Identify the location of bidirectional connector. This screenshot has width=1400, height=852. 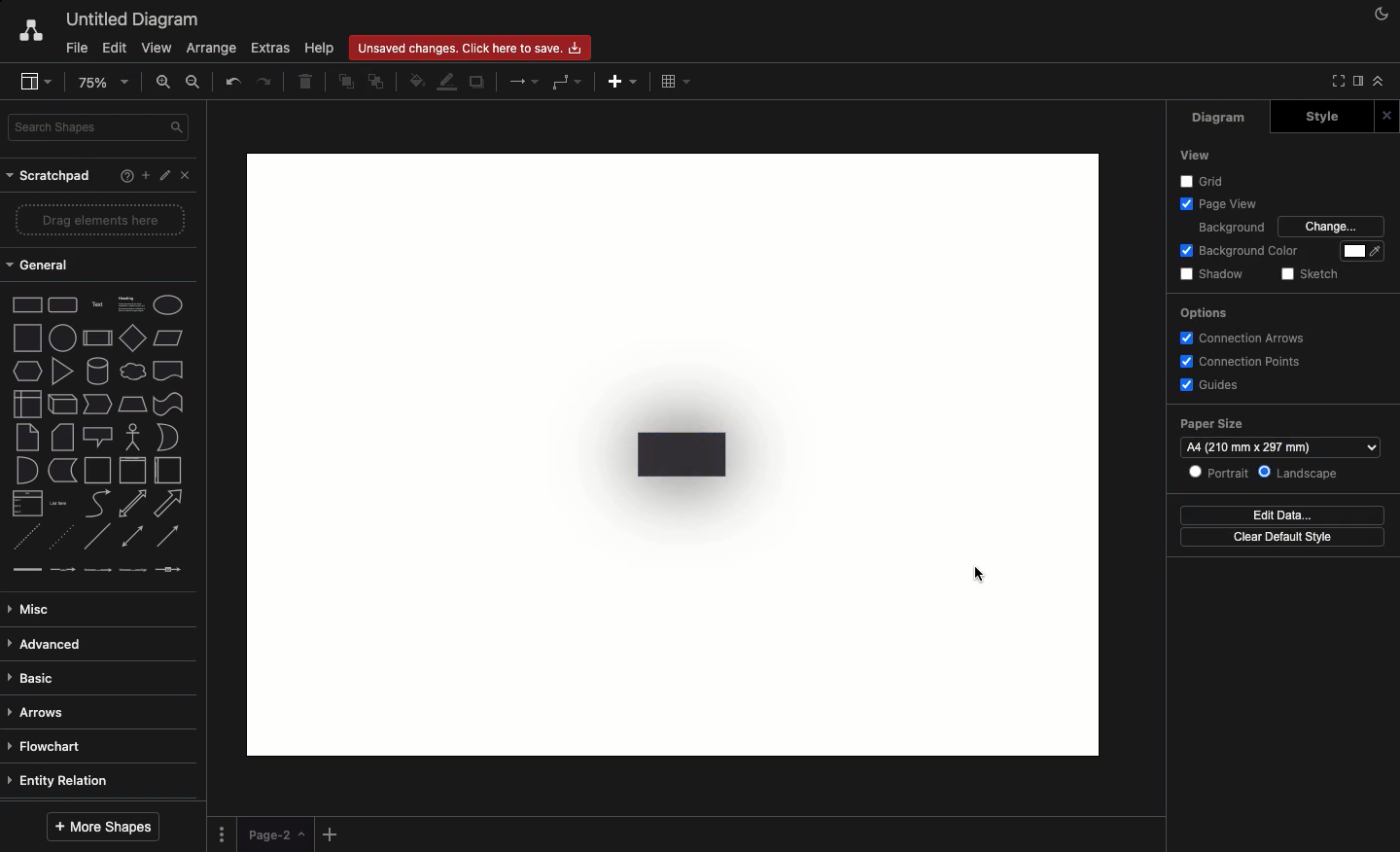
(132, 534).